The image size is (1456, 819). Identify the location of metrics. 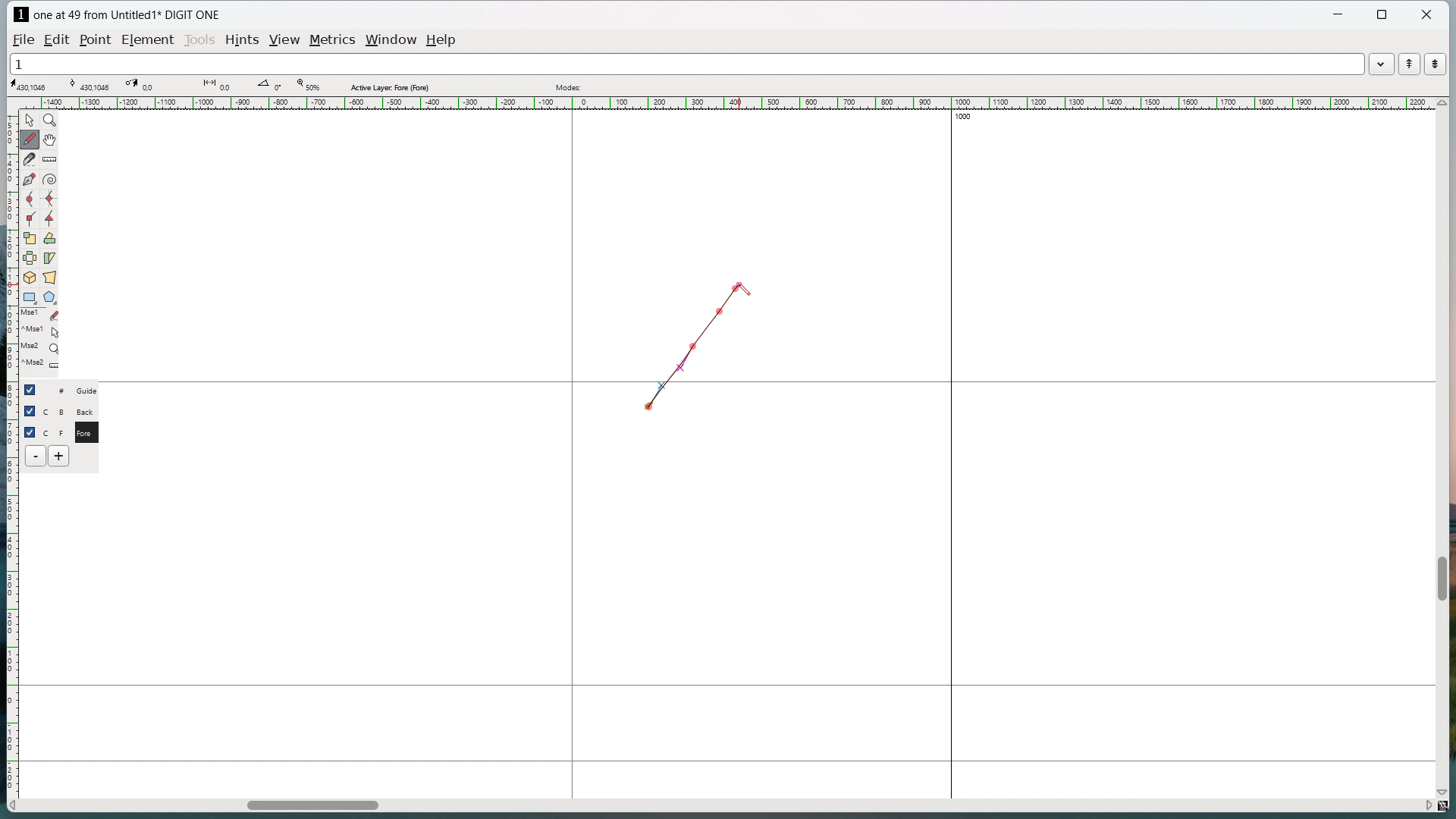
(334, 41).